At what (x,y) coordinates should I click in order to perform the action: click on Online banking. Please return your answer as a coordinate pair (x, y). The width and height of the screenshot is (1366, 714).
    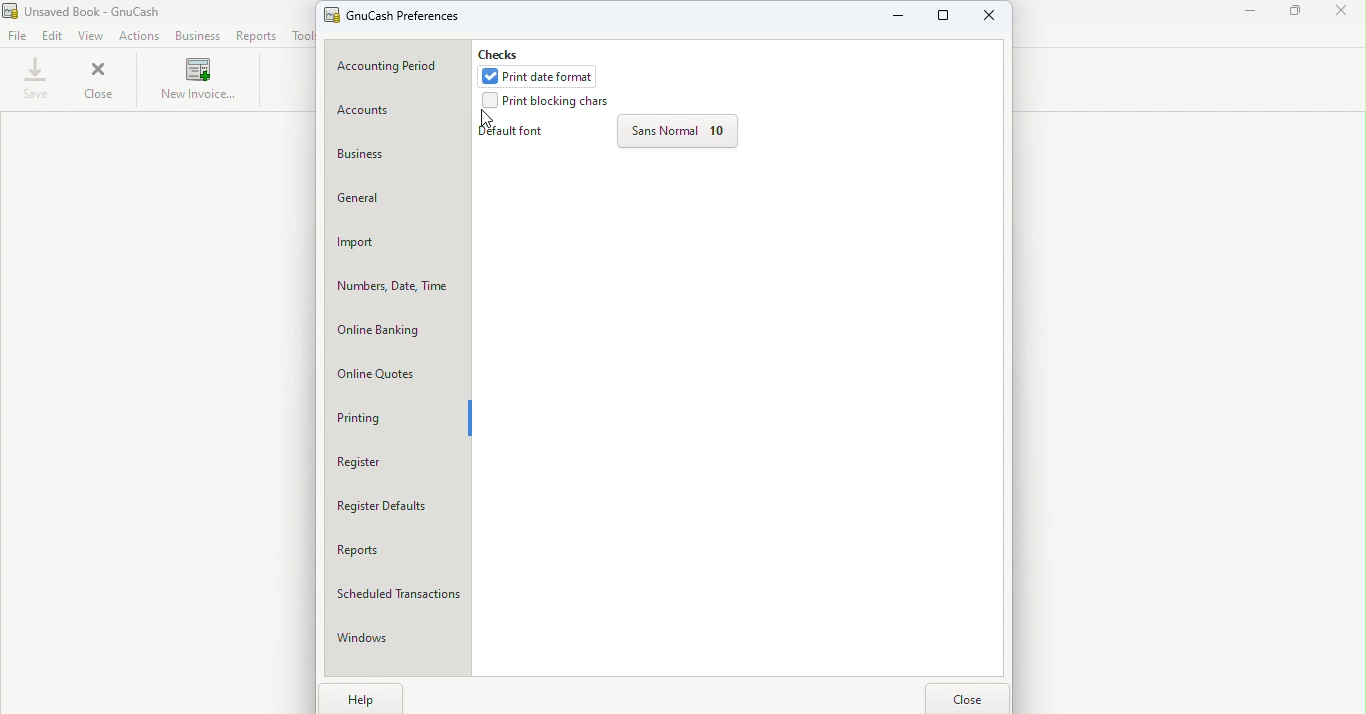
    Looking at the image, I should click on (399, 329).